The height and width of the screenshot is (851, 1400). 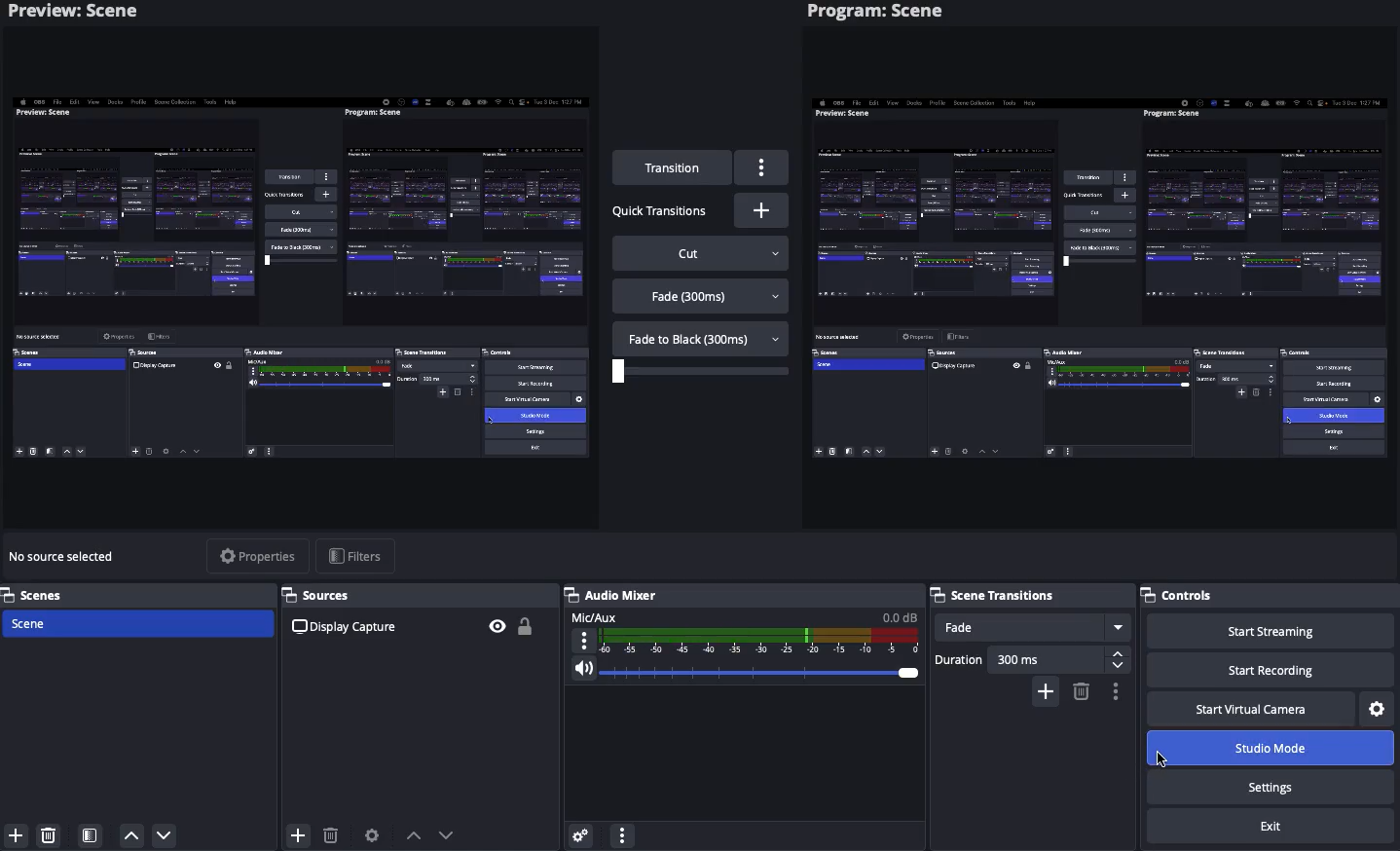 I want to click on Start recording, so click(x=1269, y=669).